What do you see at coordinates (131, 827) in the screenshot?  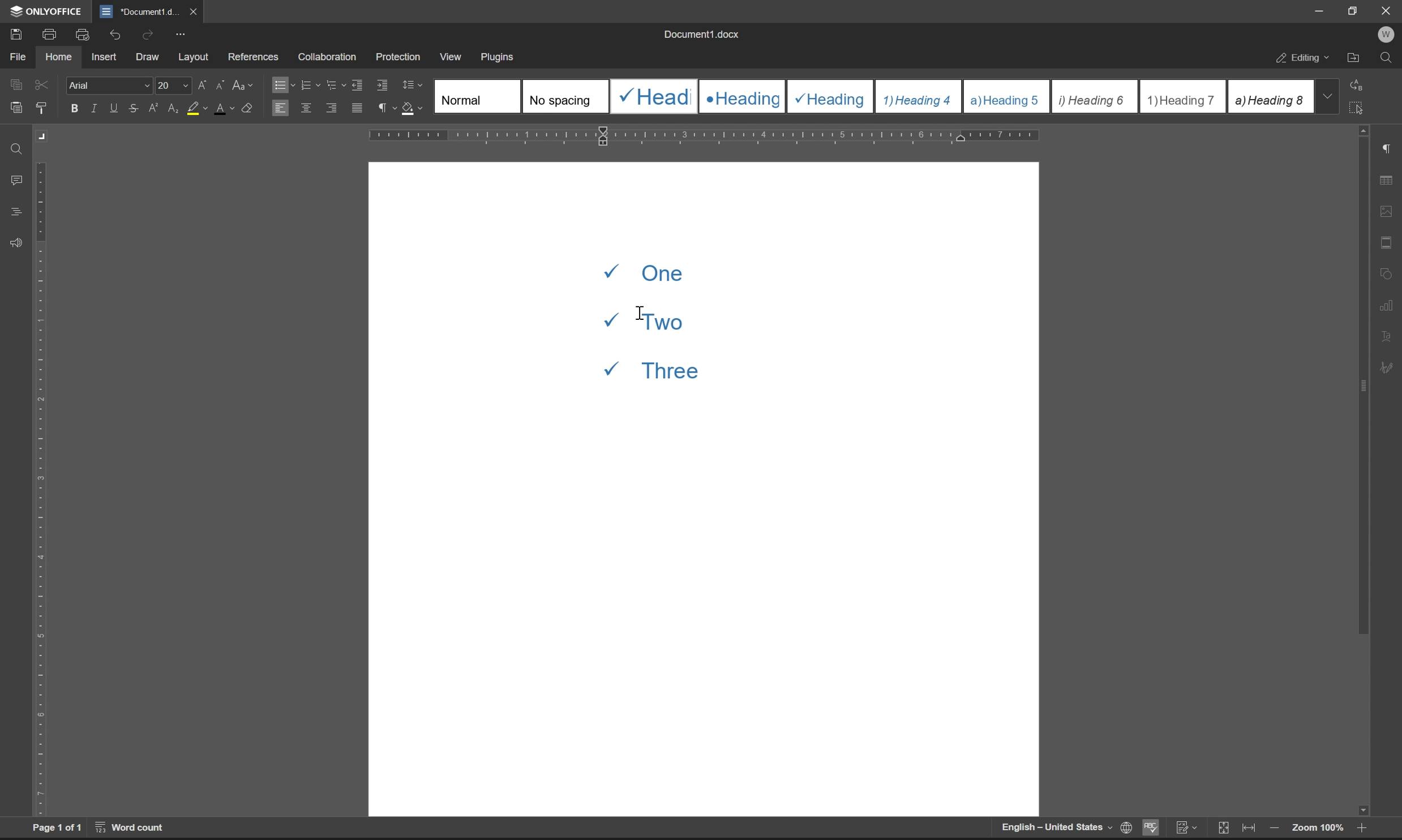 I see `word count` at bounding box center [131, 827].